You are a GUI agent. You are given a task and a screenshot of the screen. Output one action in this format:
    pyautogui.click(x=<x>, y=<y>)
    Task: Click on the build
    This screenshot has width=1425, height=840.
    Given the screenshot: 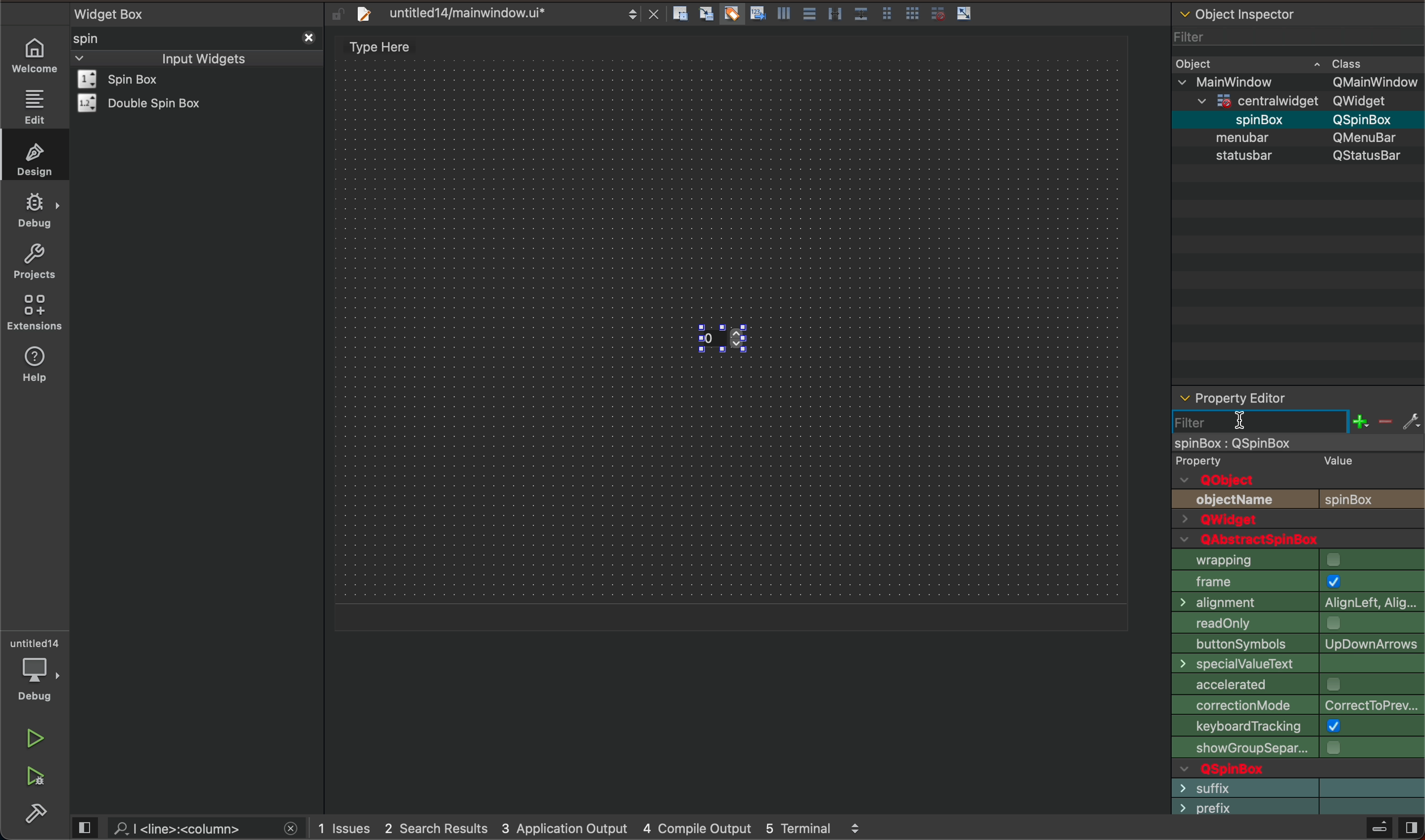 What is the action you would take?
    pyautogui.click(x=38, y=814)
    